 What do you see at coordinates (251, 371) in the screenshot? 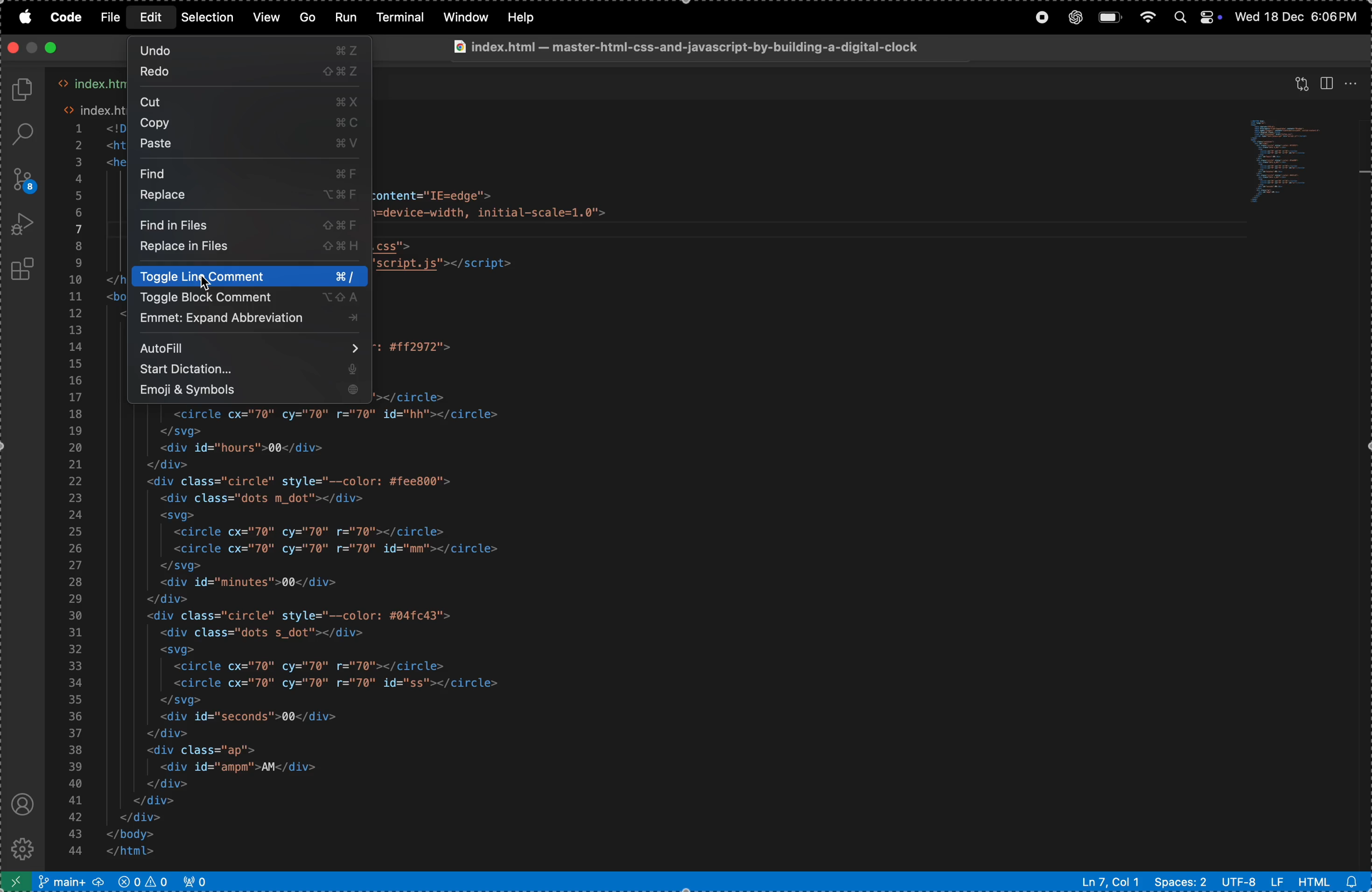
I see `start dictation` at bounding box center [251, 371].